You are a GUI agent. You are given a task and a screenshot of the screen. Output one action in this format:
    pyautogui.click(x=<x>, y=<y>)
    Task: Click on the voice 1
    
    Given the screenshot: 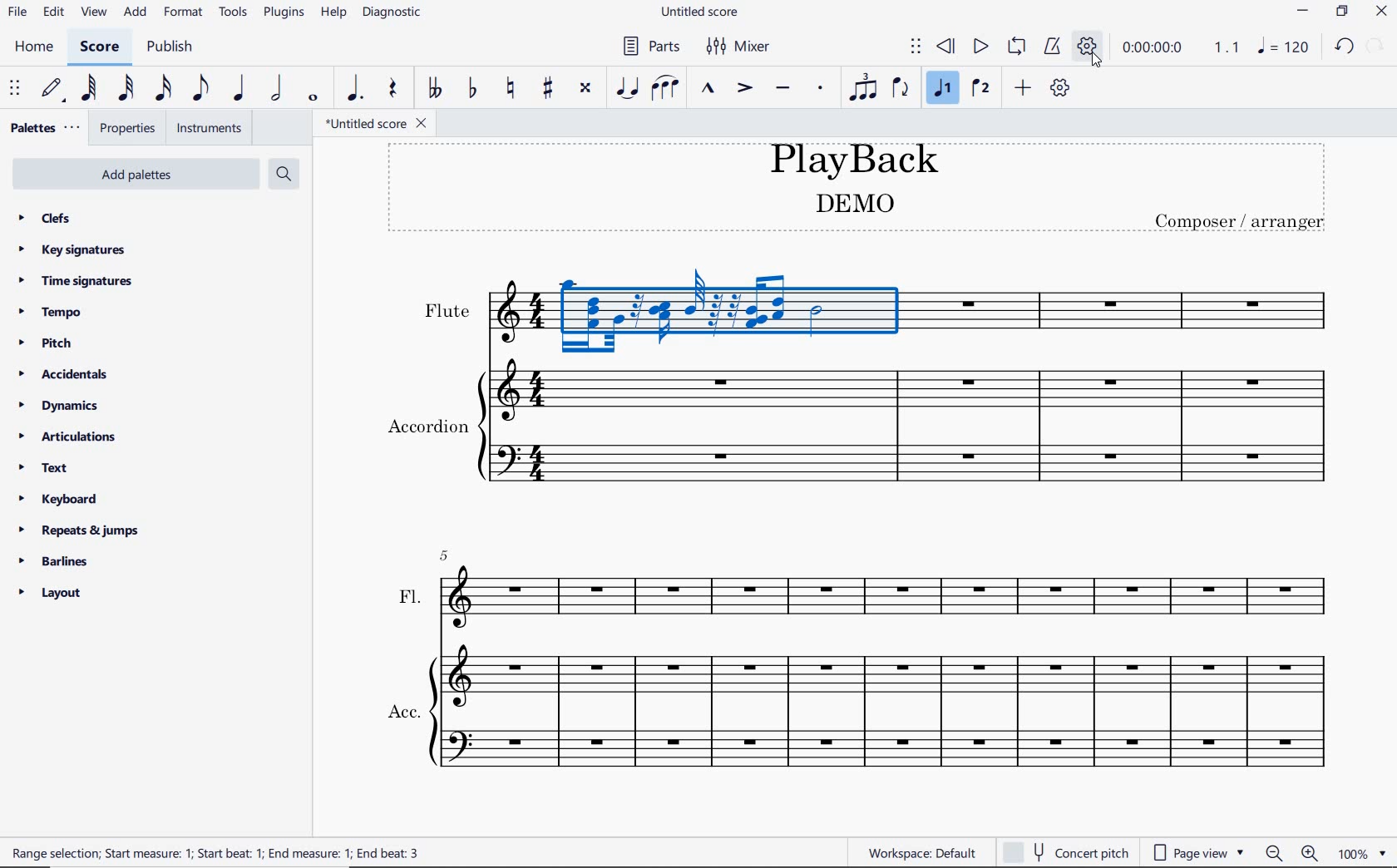 What is the action you would take?
    pyautogui.click(x=941, y=87)
    